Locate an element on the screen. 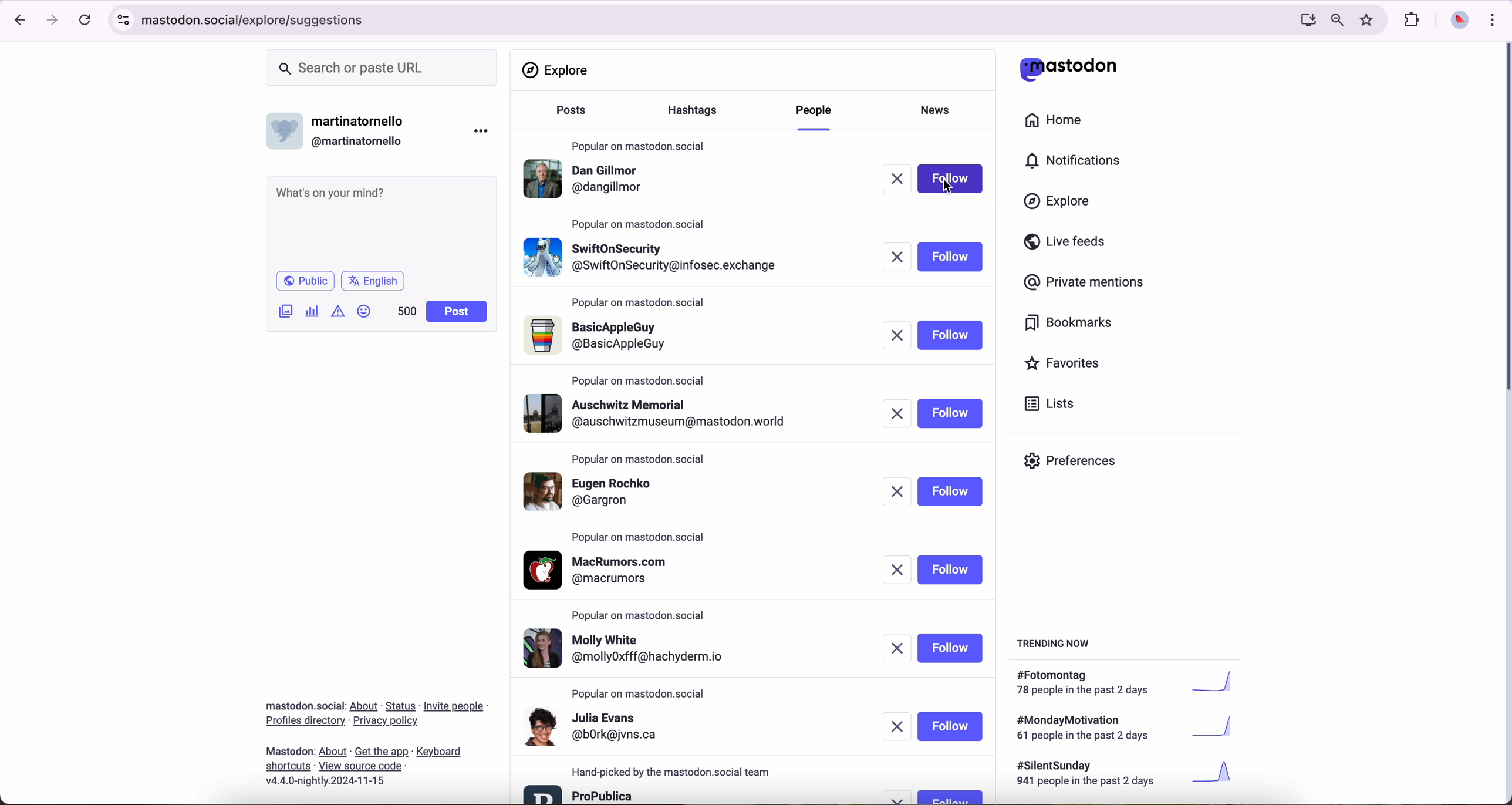  follow button is located at coordinates (953, 491).